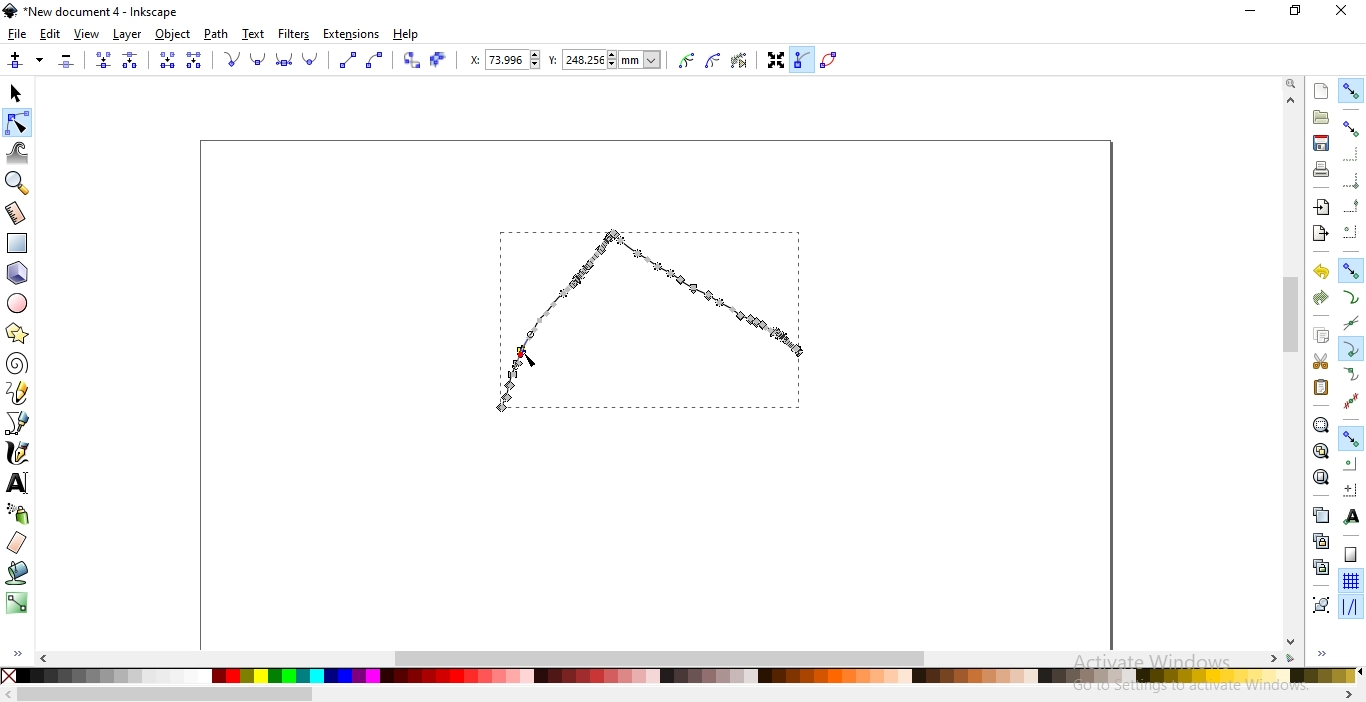 Image resolution: width=1366 pixels, height=702 pixels. What do you see at coordinates (103, 61) in the screenshot?
I see `join selected nodes` at bounding box center [103, 61].